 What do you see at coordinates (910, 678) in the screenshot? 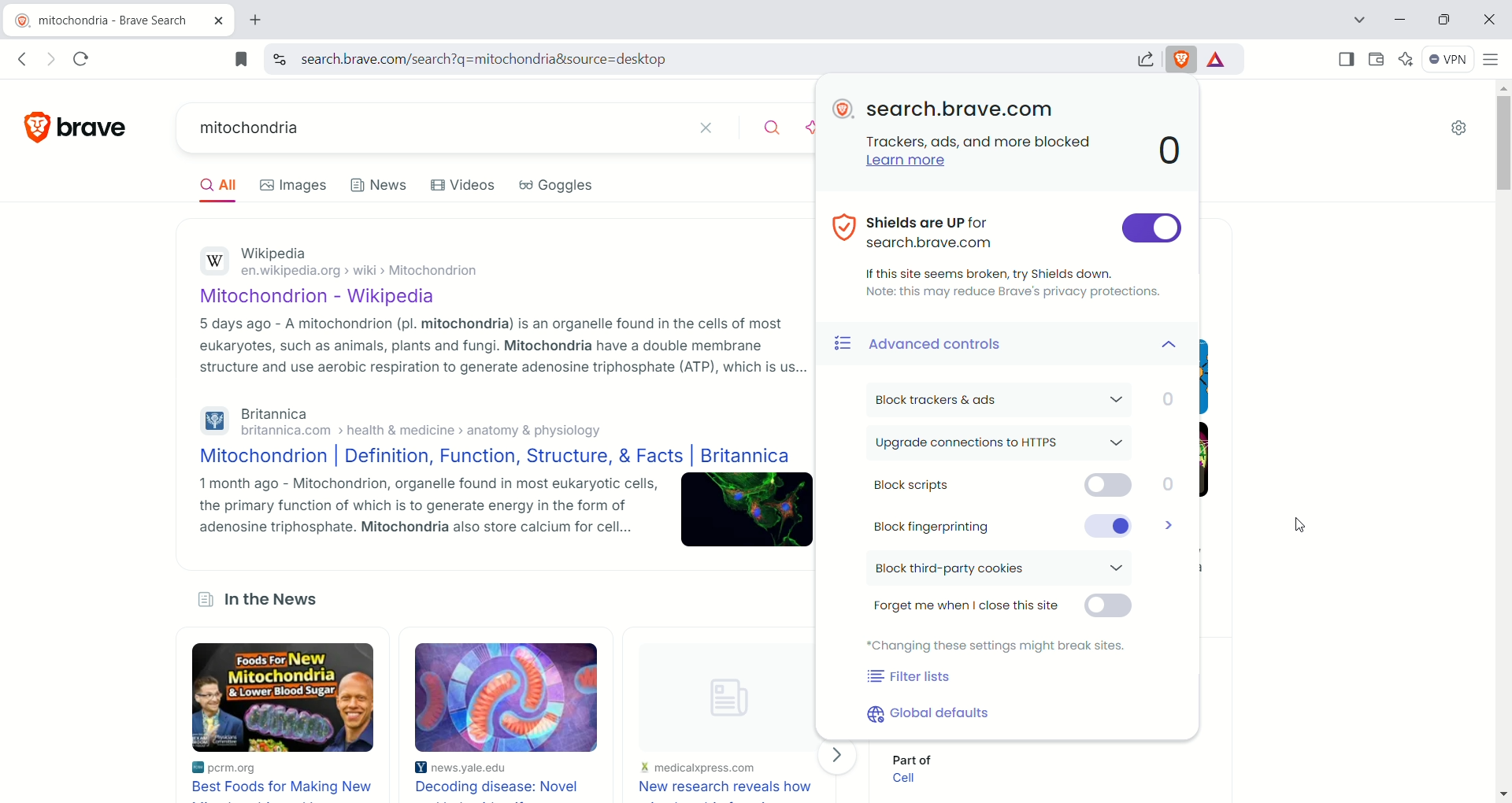
I see `filter lists` at bounding box center [910, 678].